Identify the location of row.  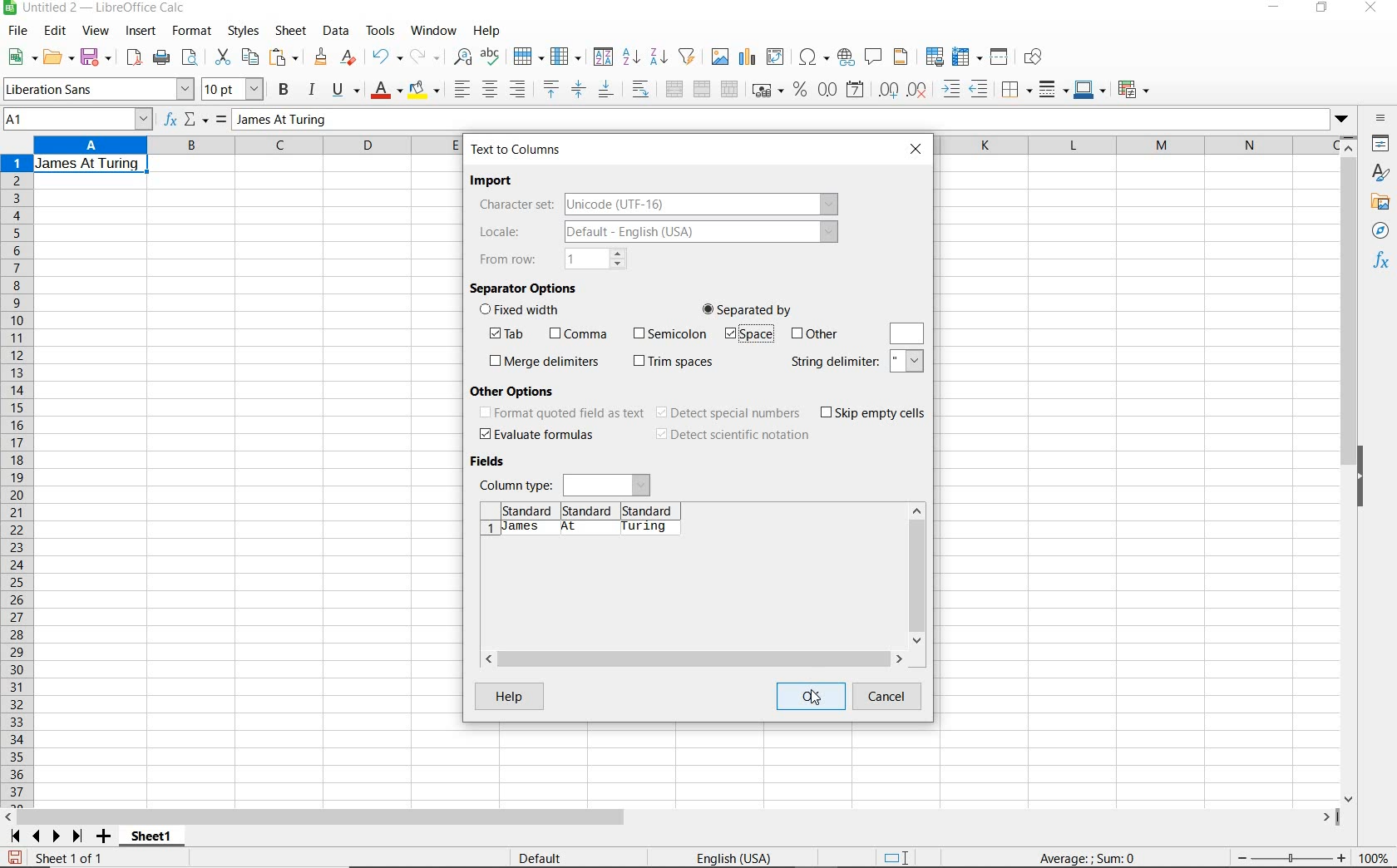
(529, 56).